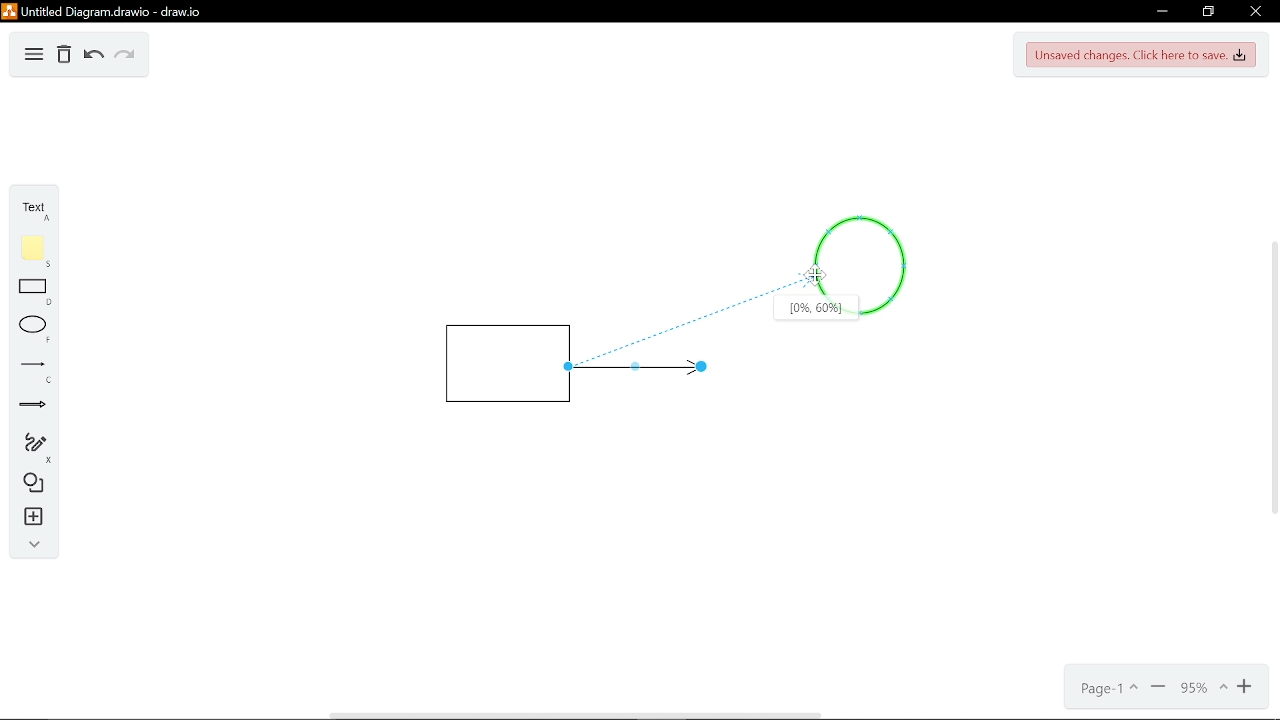 This screenshot has width=1280, height=720. I want to click on Circle, so click(863, 275).